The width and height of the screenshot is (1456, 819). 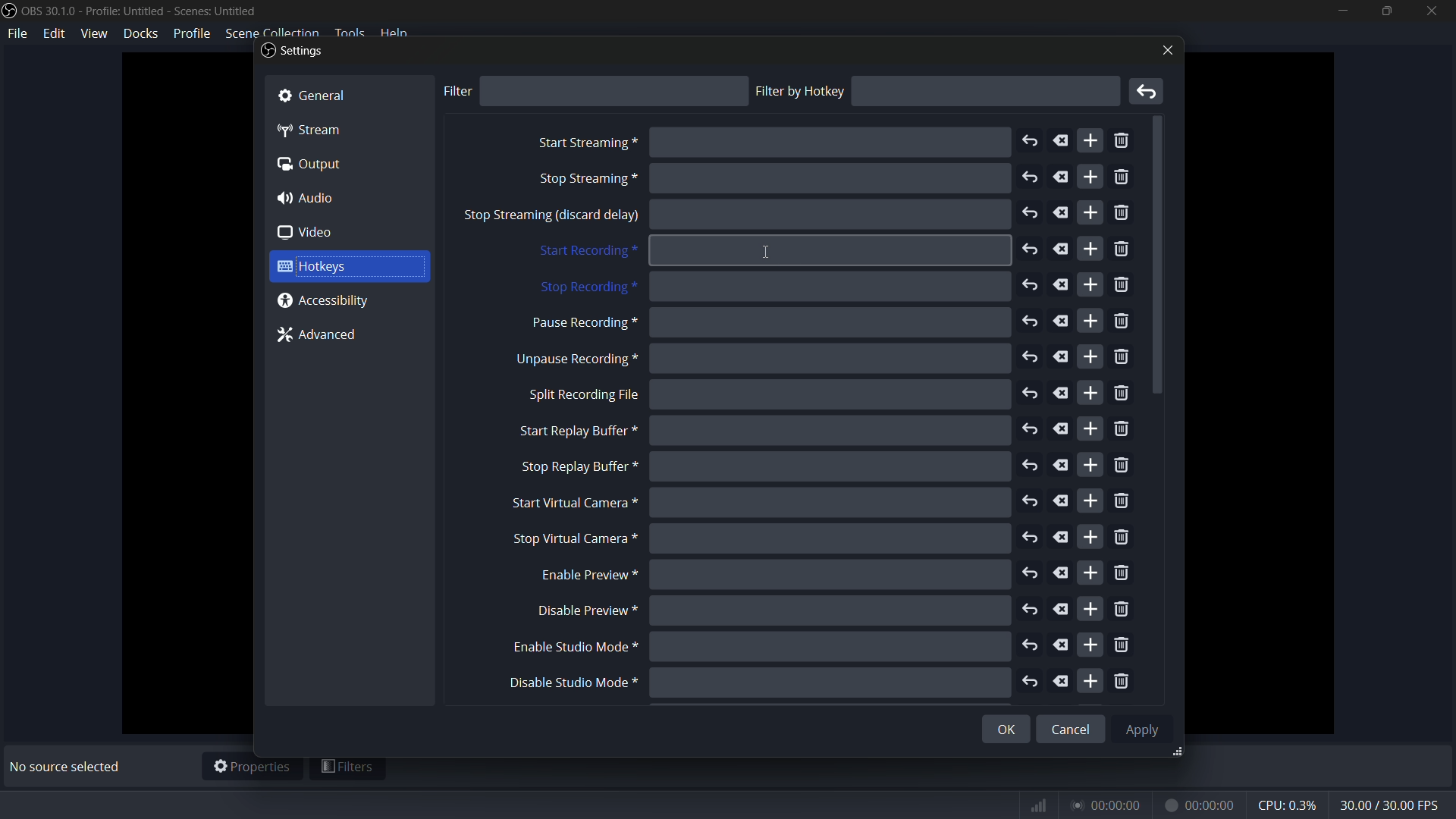 What do you see at coordinates (1149, 92) in the screenshot?
I see `remove` at bounding box center [1149, 92].